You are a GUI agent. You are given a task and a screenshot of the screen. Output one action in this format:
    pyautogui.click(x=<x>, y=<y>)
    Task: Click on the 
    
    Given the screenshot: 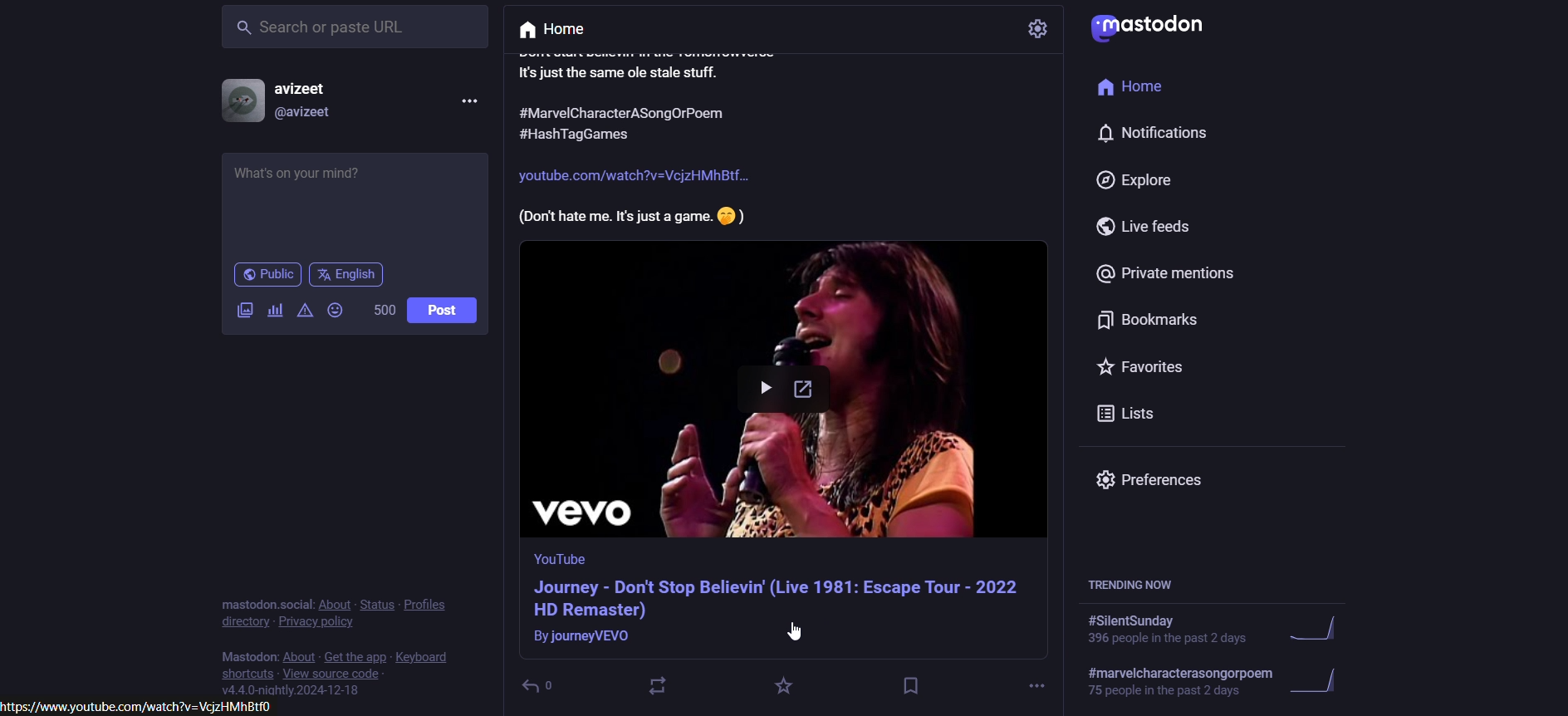 What is the action you would take?
    pyautogui.click(x=631, y=216)
    